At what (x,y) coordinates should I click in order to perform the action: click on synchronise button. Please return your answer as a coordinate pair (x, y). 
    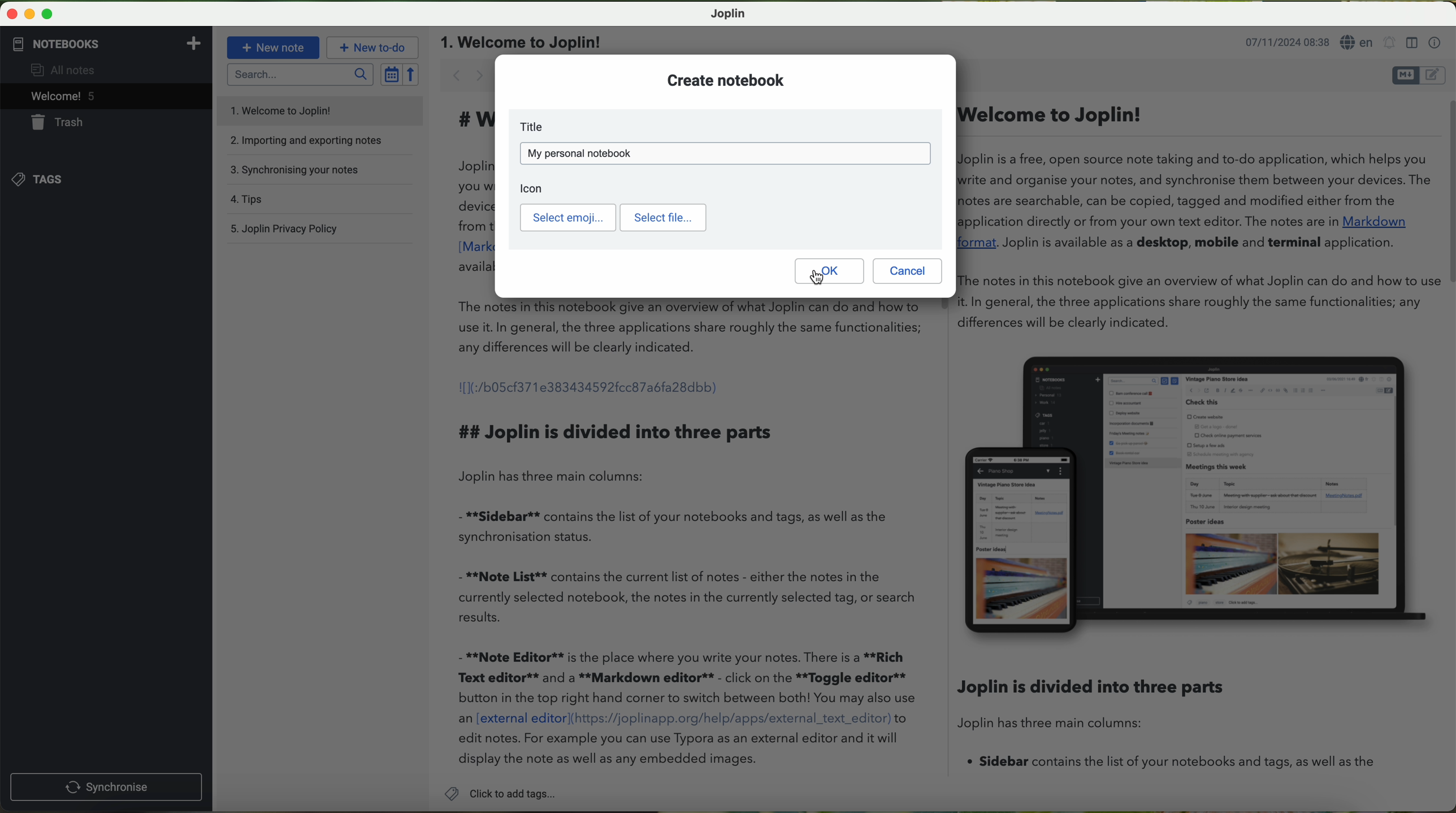
    Looking at the image, I should click on (106, 788).